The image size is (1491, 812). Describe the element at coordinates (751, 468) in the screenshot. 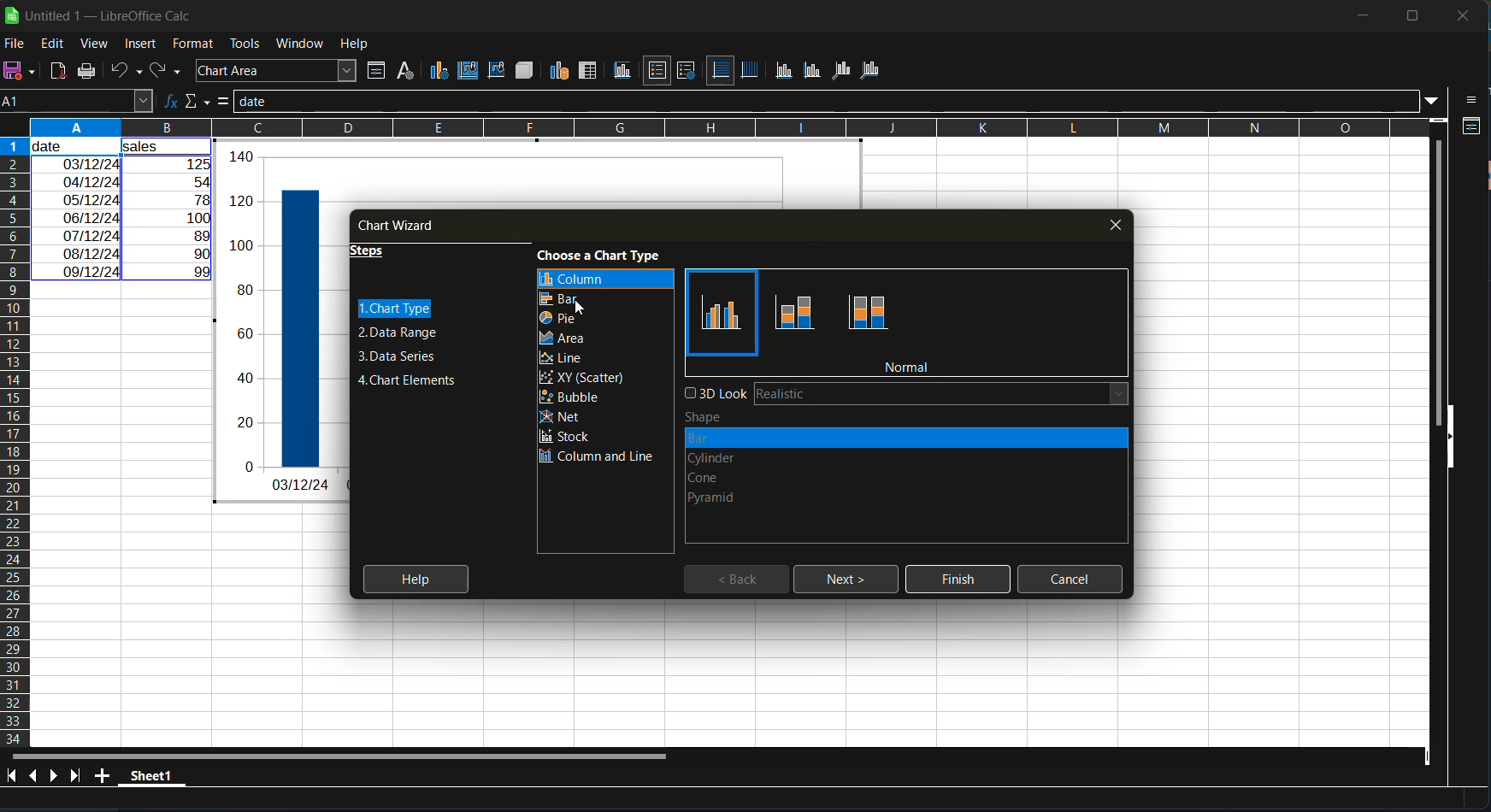

I see `type of shapes` at that location.